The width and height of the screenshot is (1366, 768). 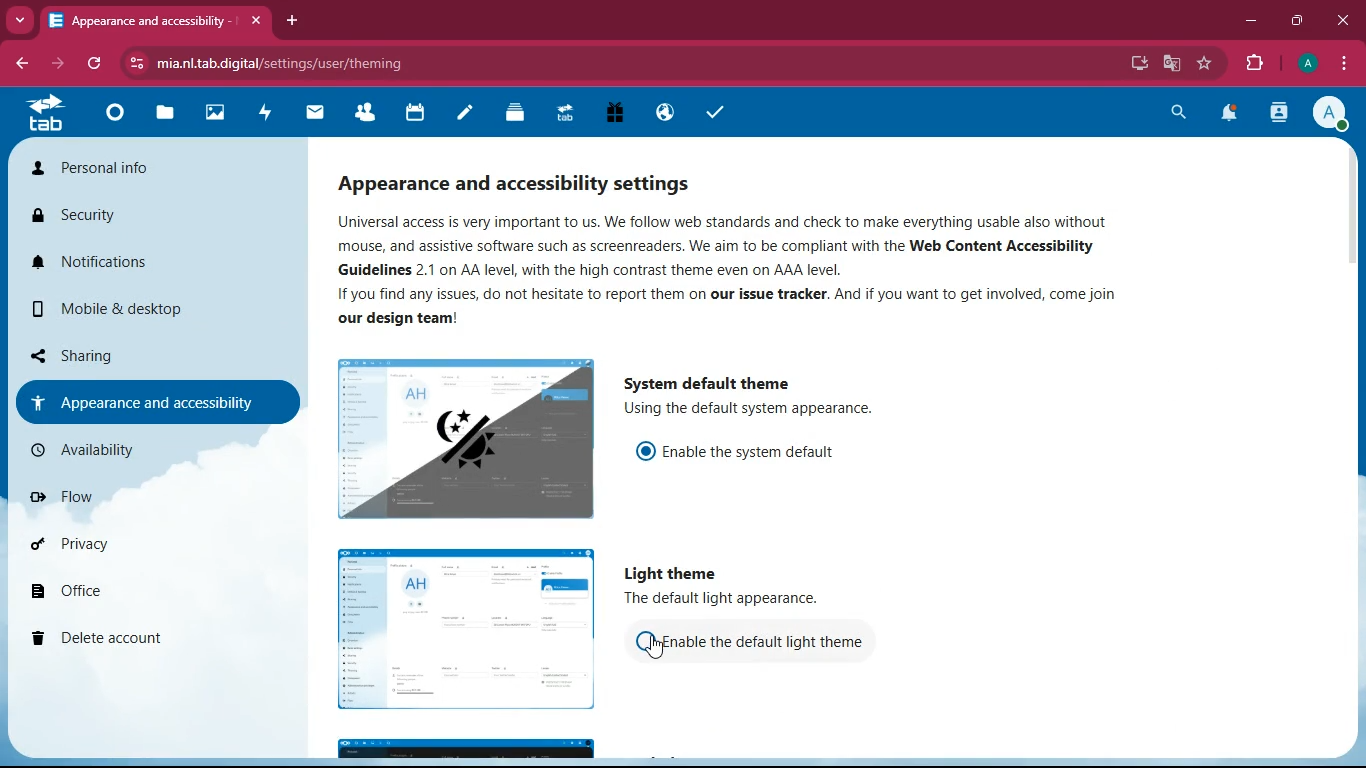 I want to click on appearance, so click(x=529, y=178).